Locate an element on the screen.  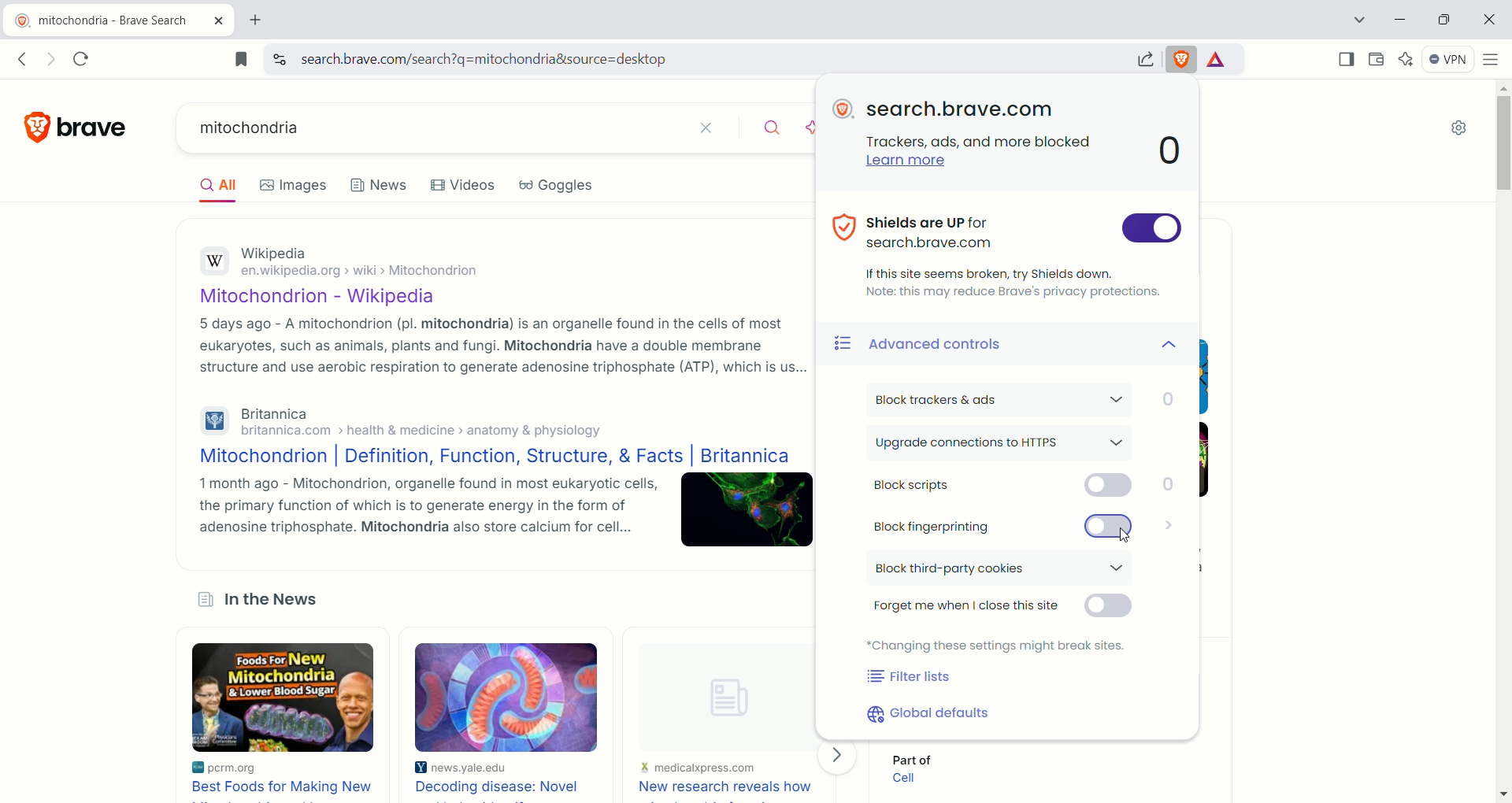
filter lists is located at coordinates (910, 678).